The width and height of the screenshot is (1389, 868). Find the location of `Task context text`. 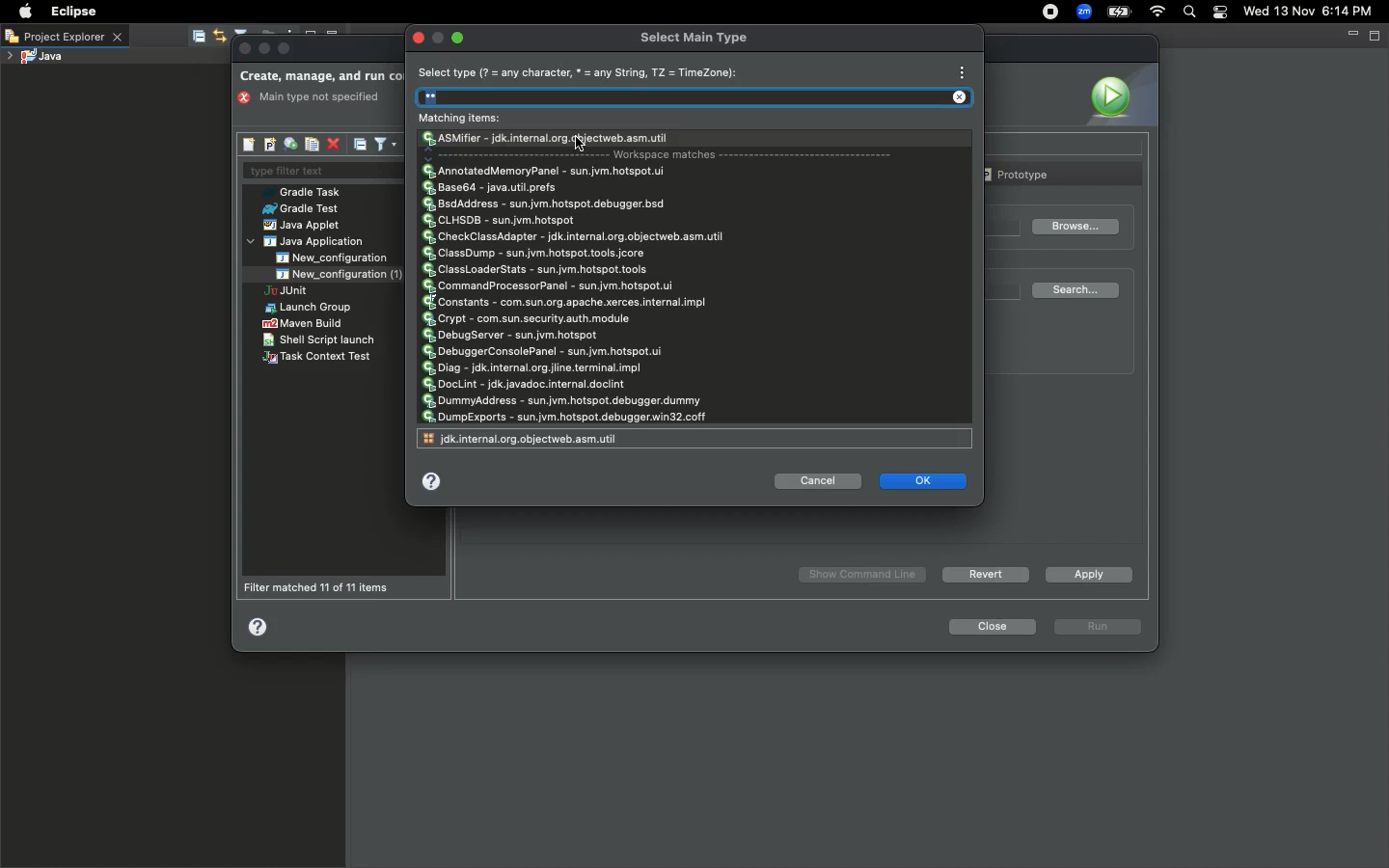

Task context text is located at coordinates (319, 358).